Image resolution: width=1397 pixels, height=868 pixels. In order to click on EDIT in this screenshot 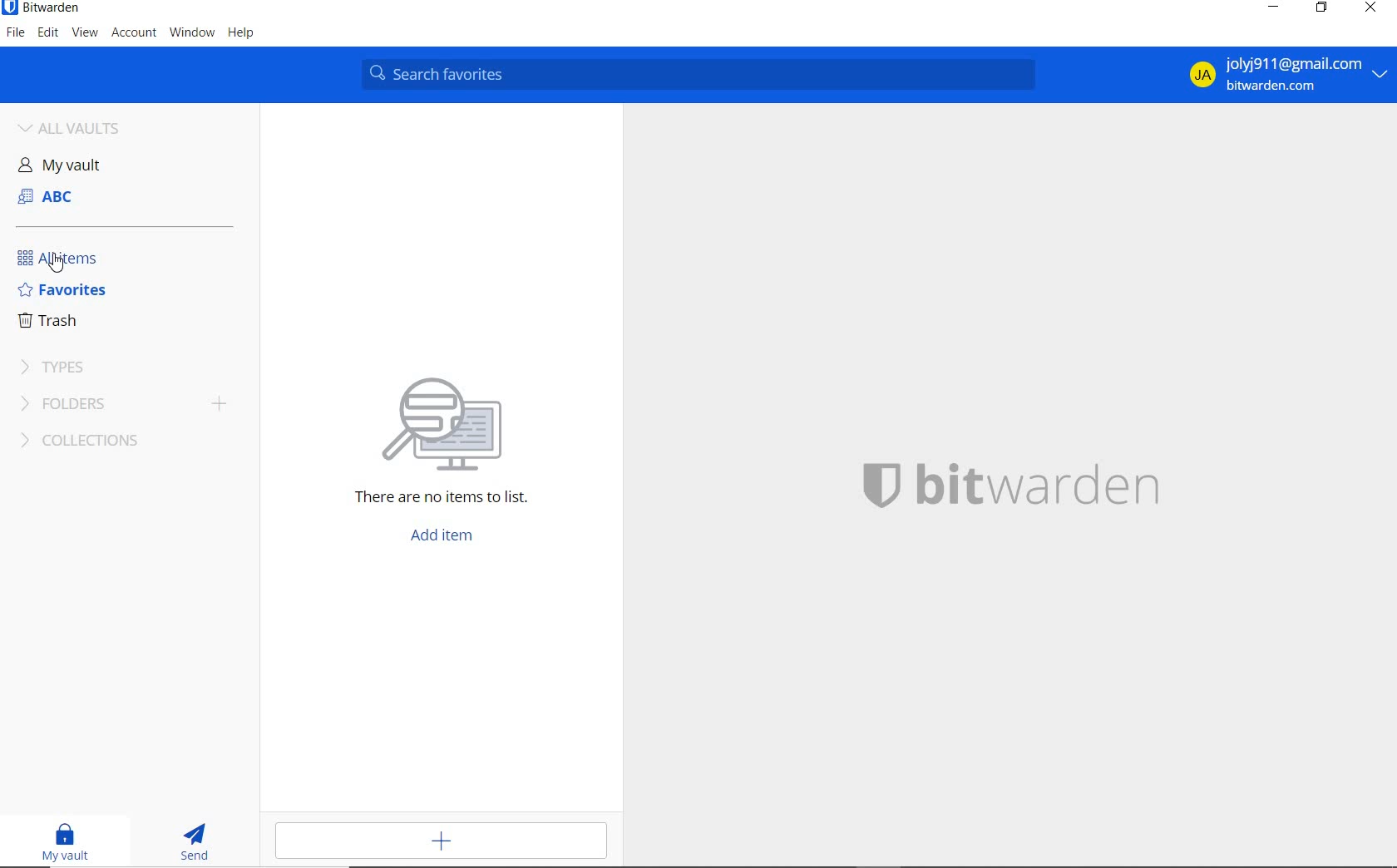, I will do `click(49, 34)`.